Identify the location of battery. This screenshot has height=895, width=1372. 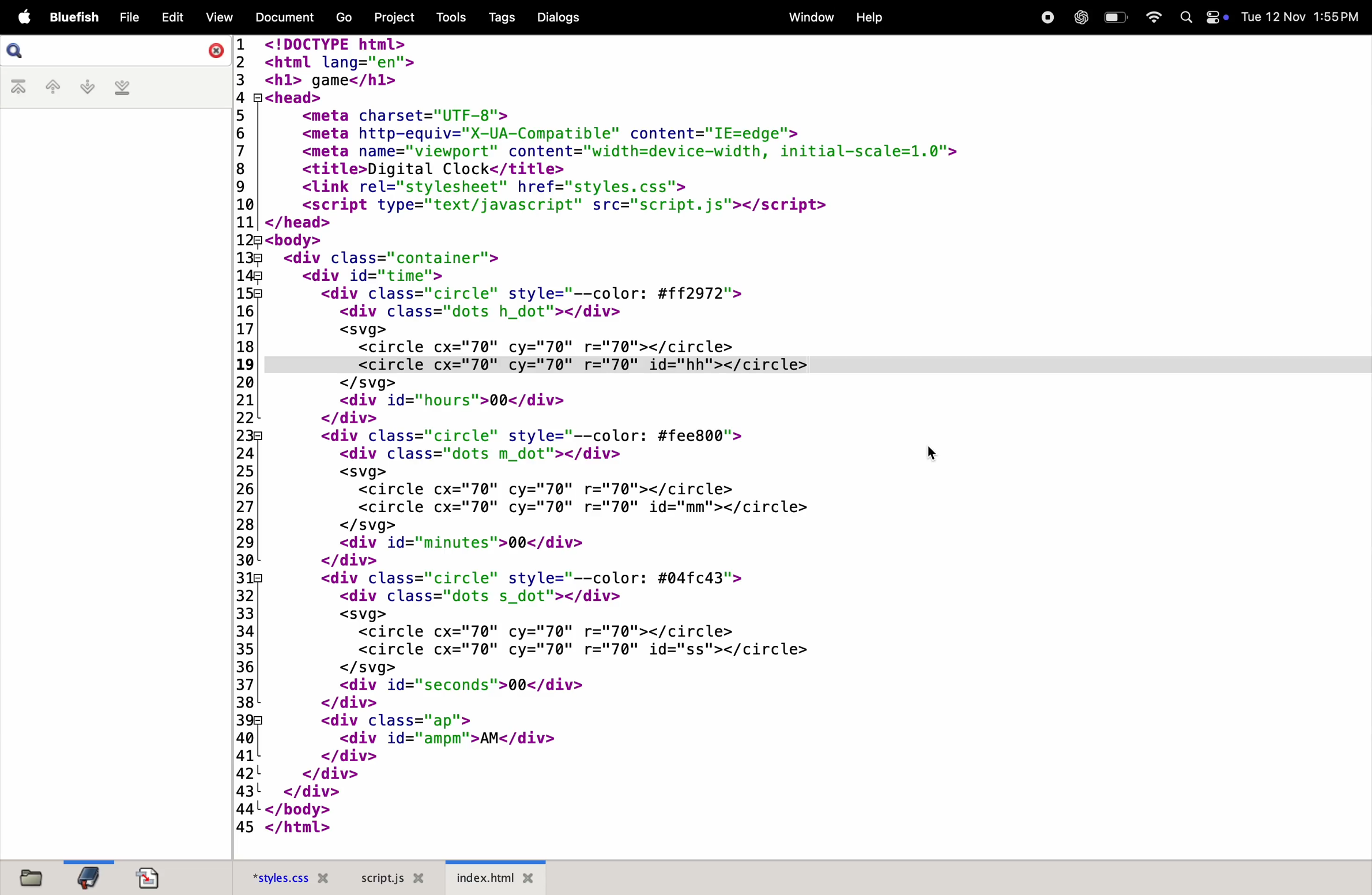
(1113, 17).